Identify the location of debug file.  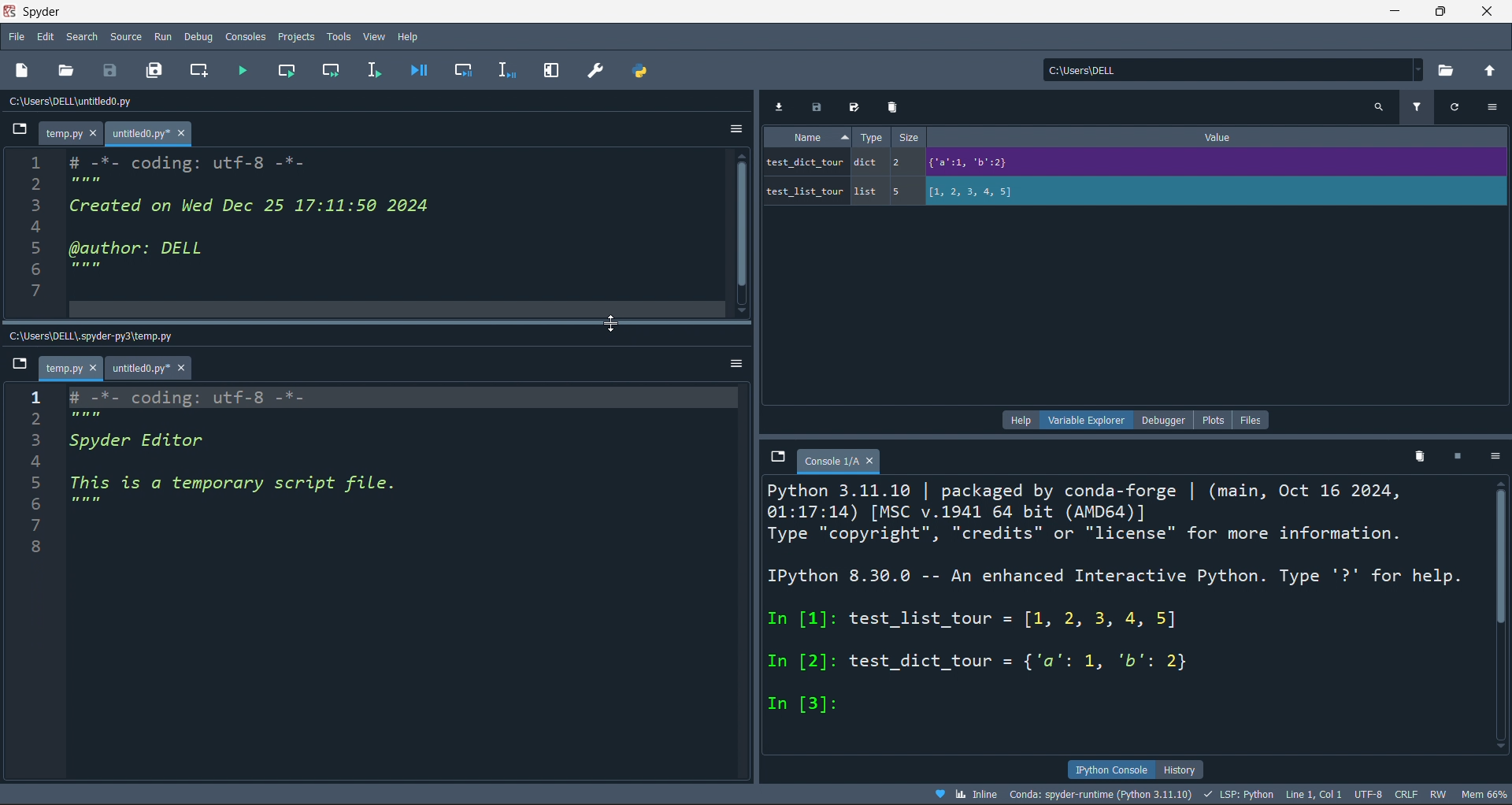
(424, 71).